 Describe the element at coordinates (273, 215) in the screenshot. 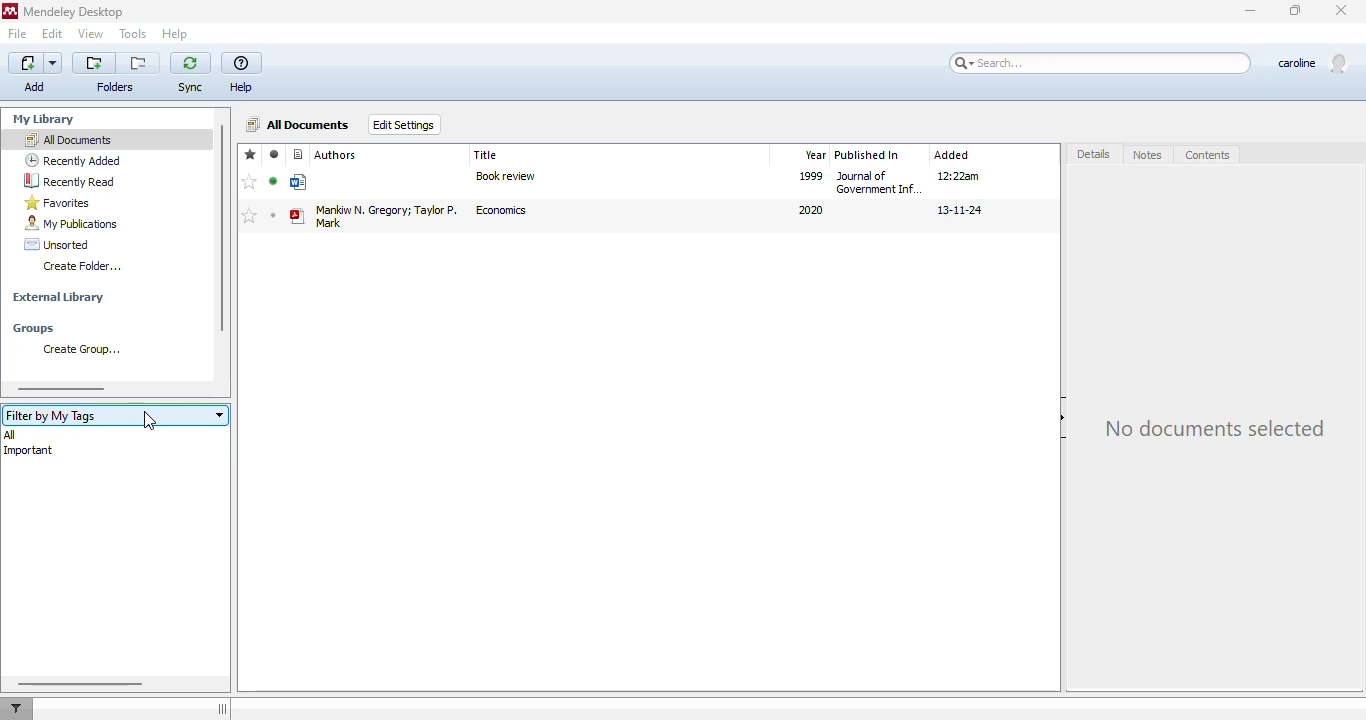

I see `mark as unread` at that location.